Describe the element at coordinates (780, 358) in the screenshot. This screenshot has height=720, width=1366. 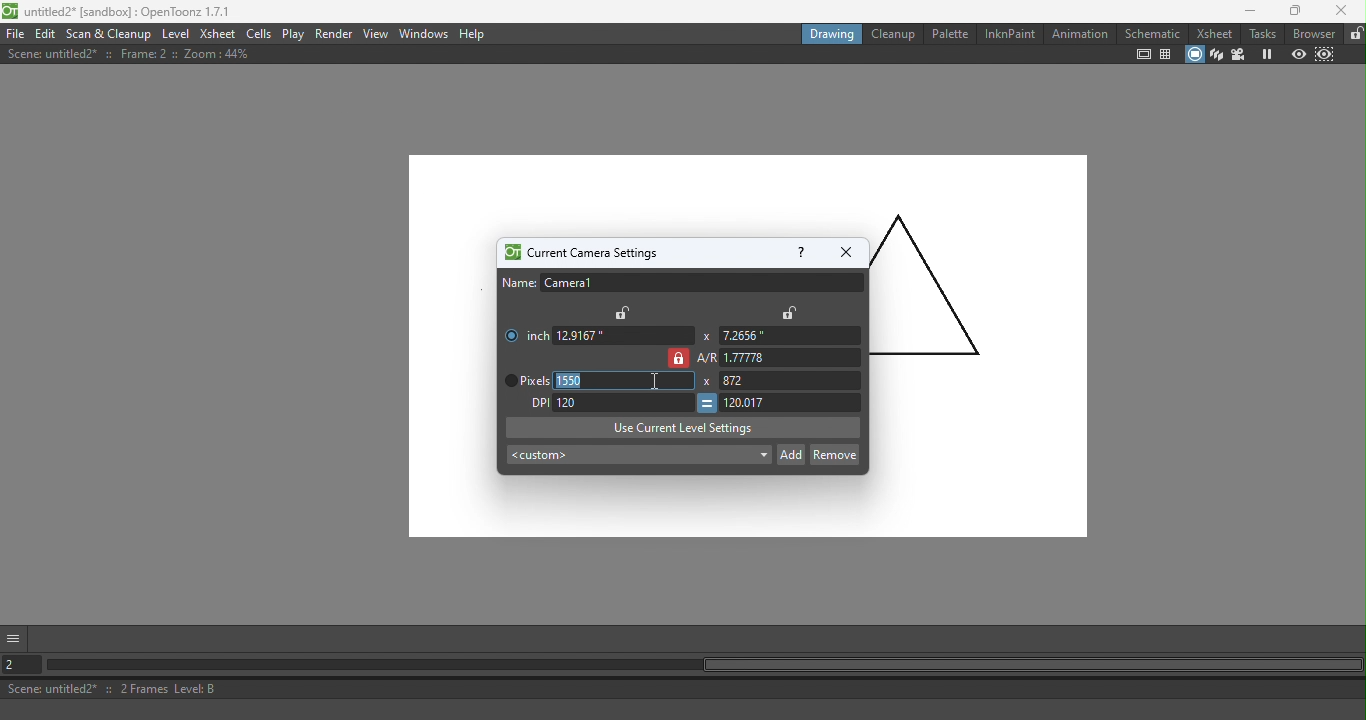
I see `Aspect ratio` at that location.